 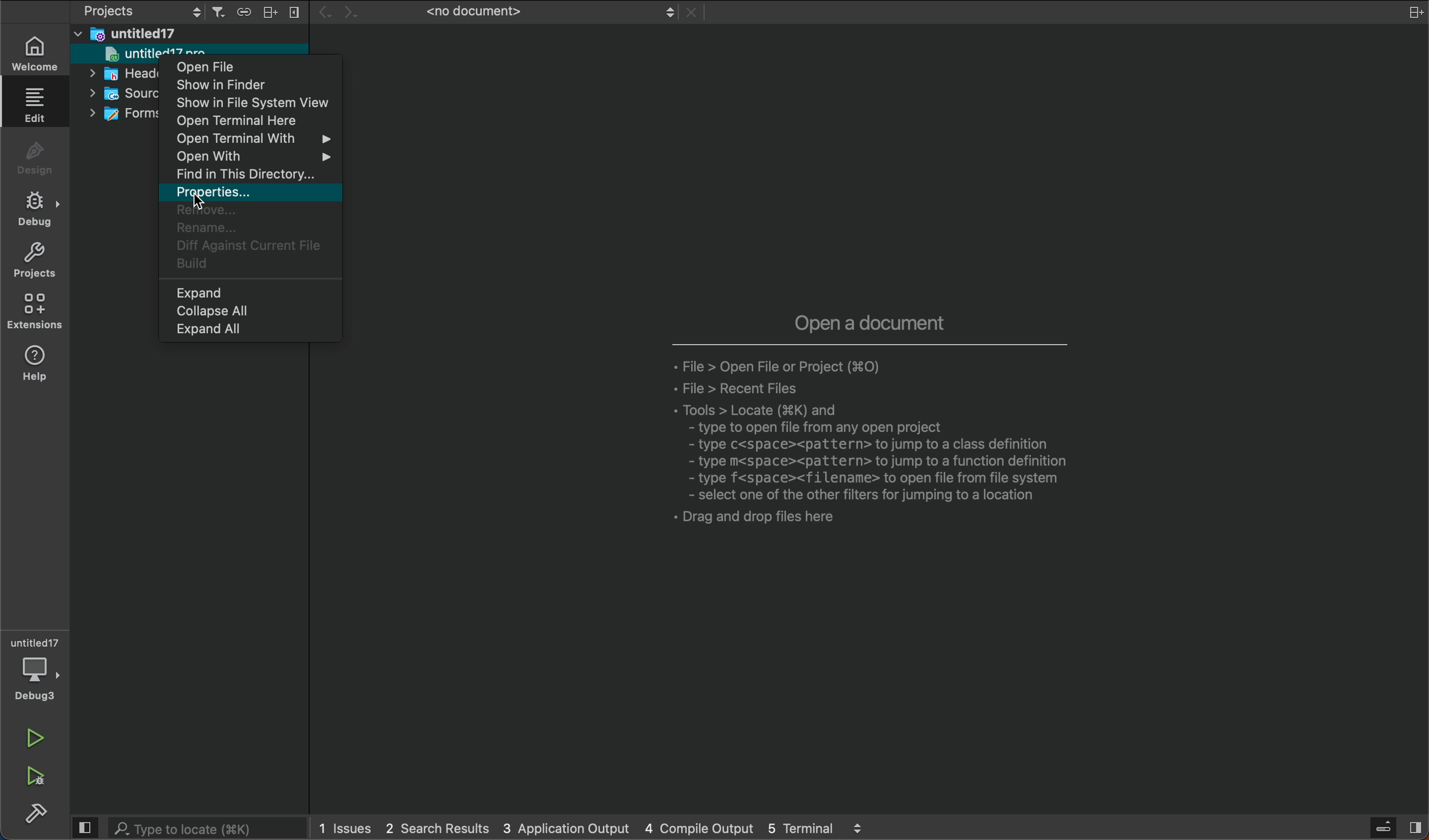 What do you see at coordinates (252, 212) in the screenshot?
I see `remove` at bounding box center [252, 212].